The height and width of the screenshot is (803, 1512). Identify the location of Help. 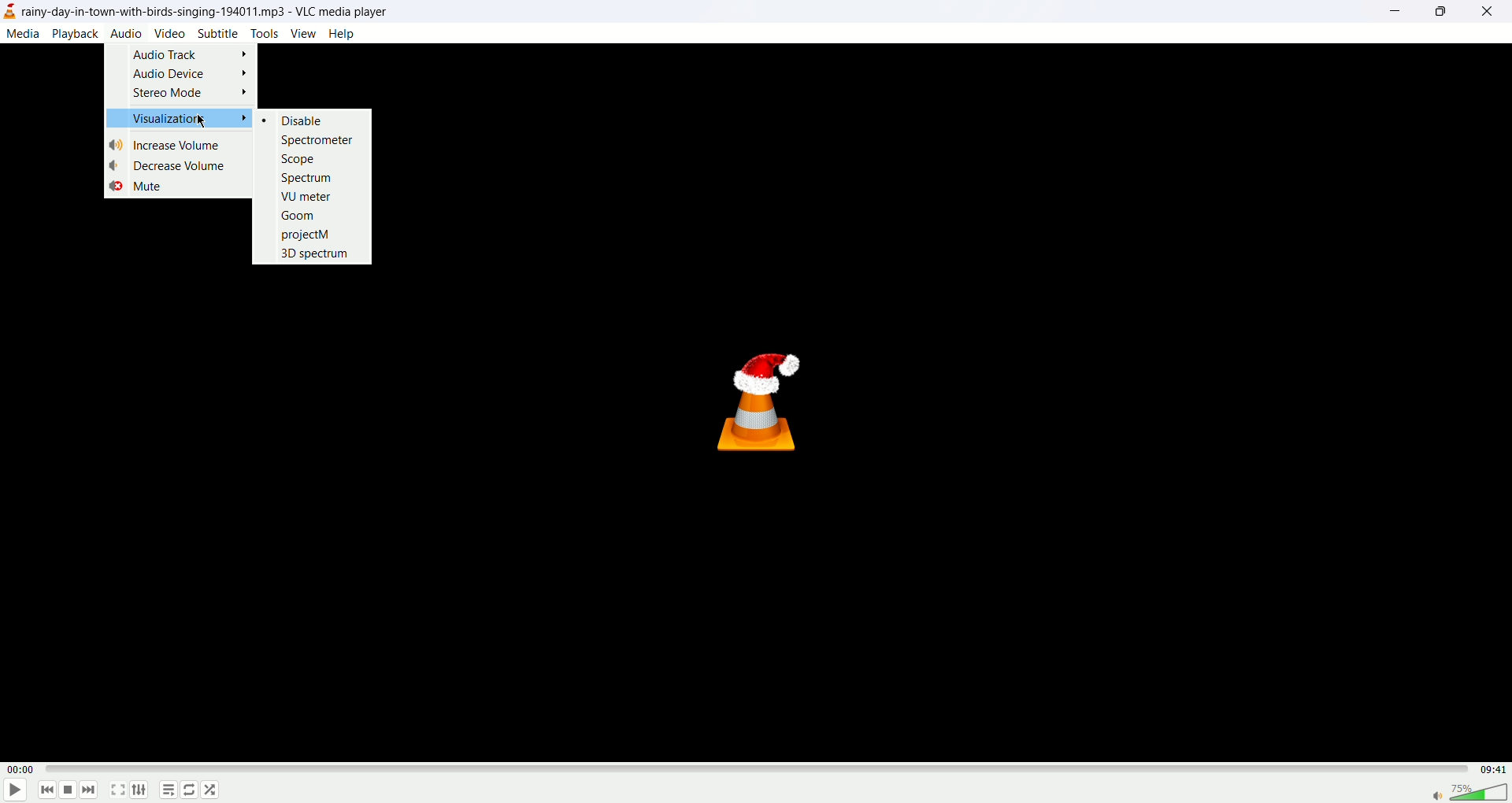
(342, 32).